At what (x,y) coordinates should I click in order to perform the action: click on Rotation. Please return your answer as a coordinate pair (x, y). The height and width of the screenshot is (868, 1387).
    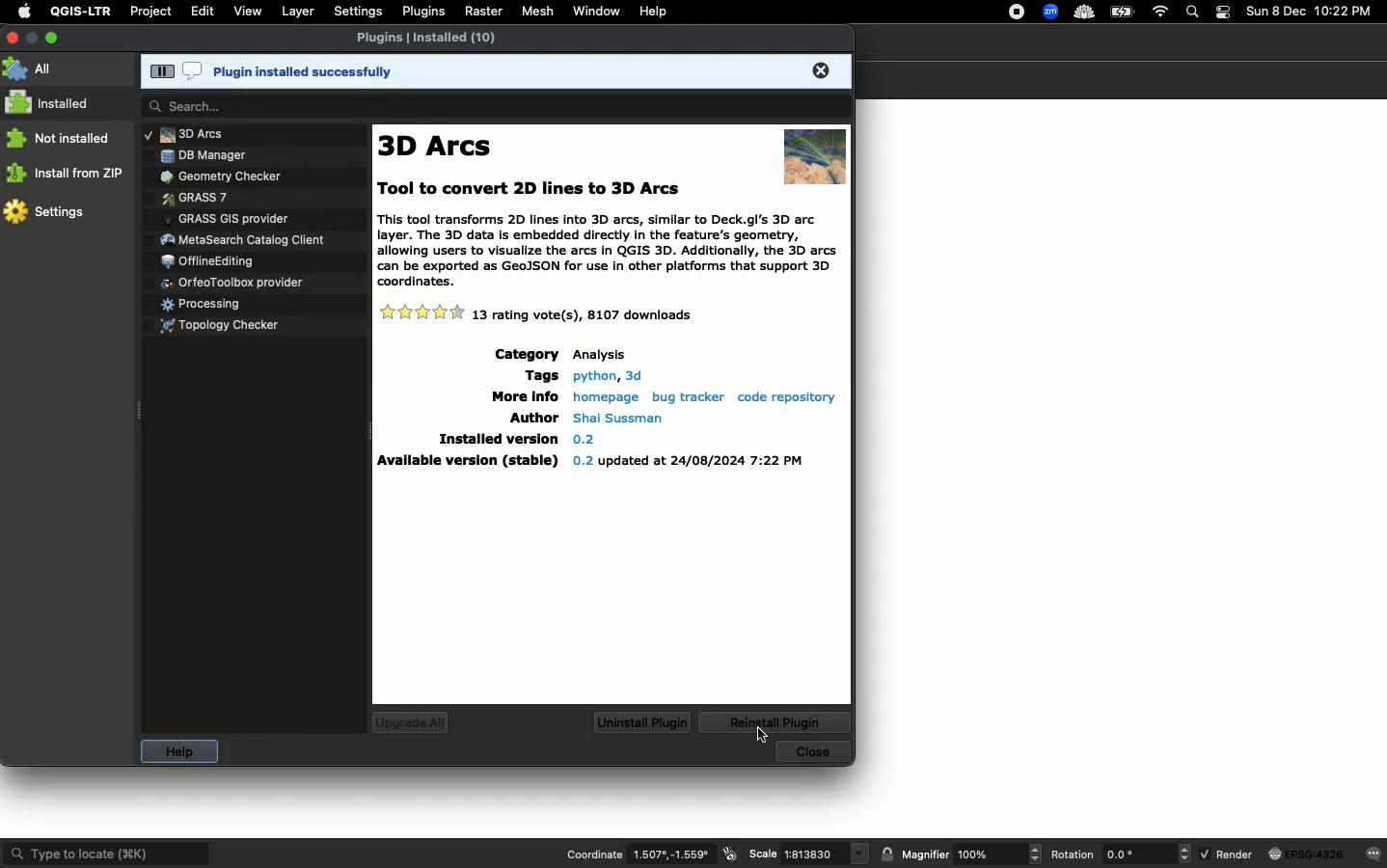
    Looking at the image, I should click on (1146, 854).